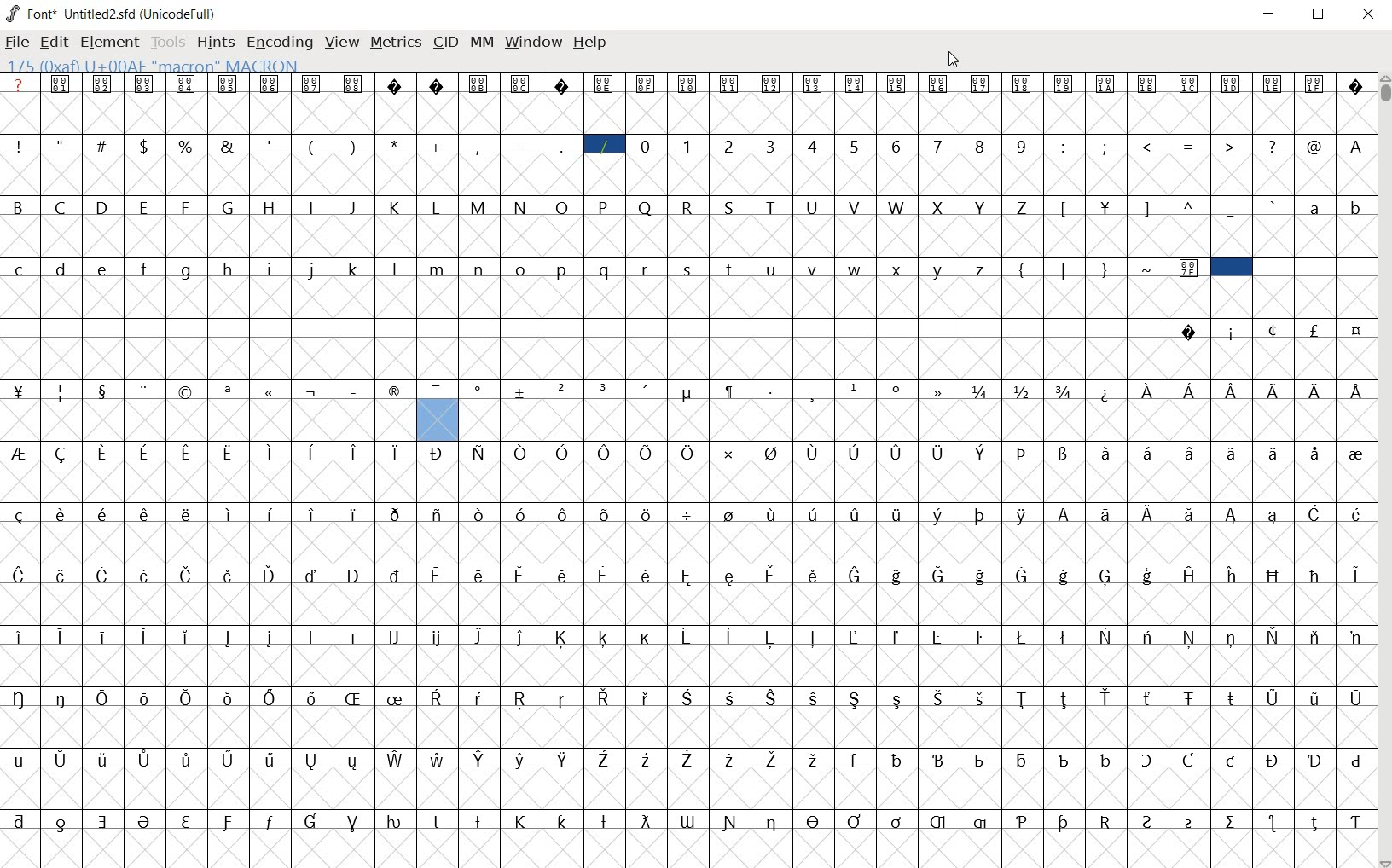 The height and width of the screenshot is (868, 1392). I want to click on 0, so click(647, 144).